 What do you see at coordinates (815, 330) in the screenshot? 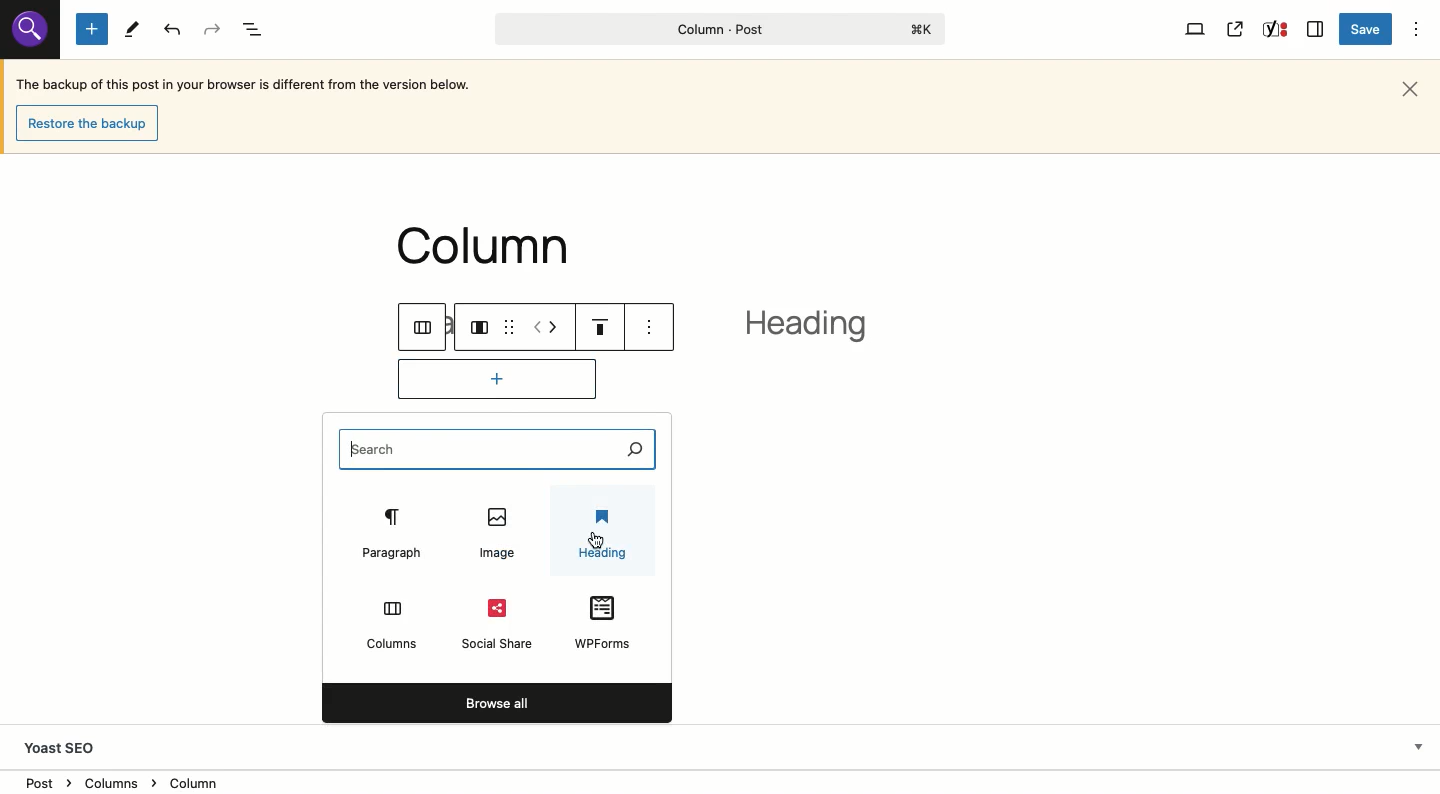
I see `heading` at bounding box center [815, 330].